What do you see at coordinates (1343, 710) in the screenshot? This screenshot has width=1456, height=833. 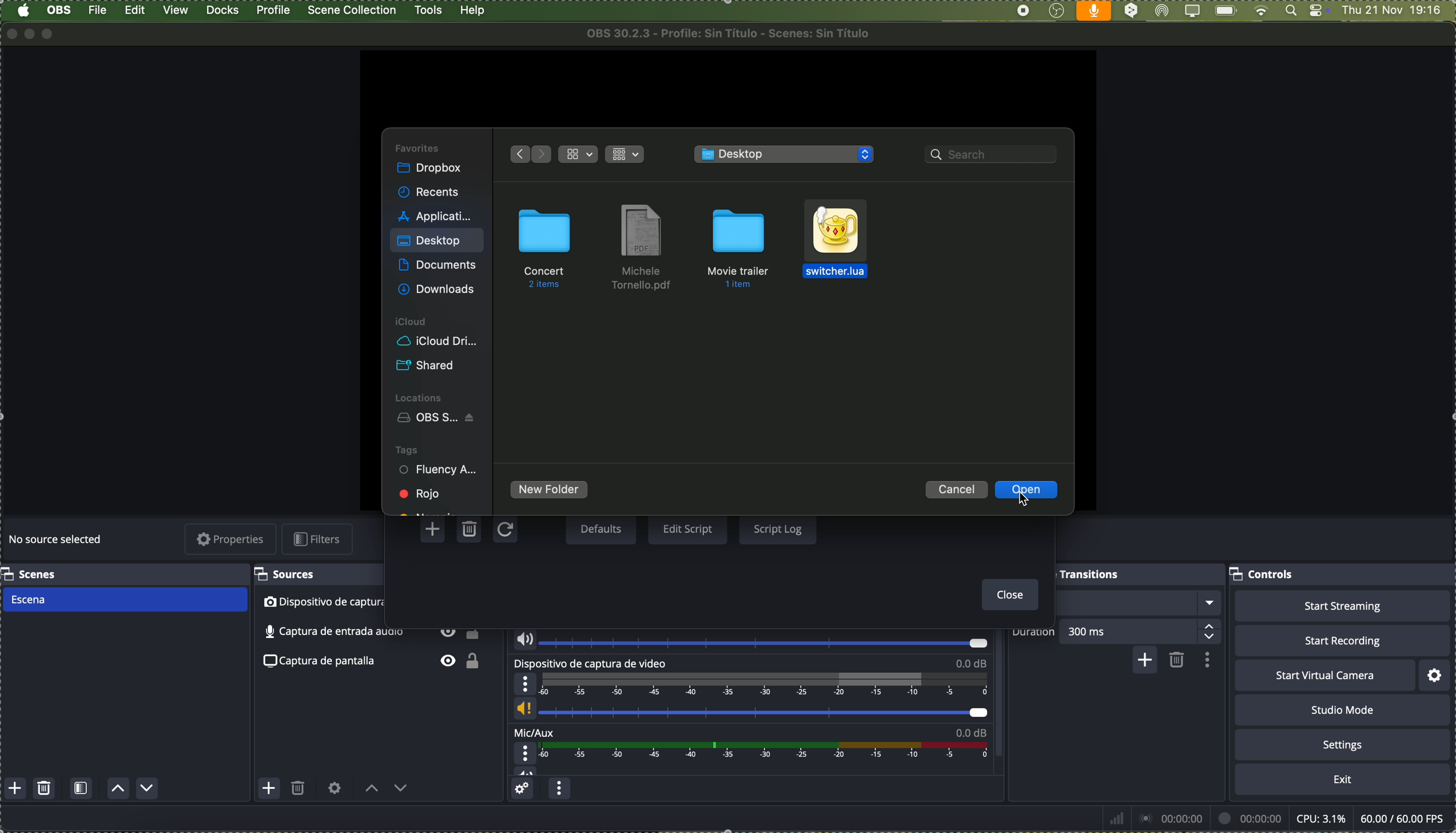 I see `studio mode` at bounding box center [1343, 710].